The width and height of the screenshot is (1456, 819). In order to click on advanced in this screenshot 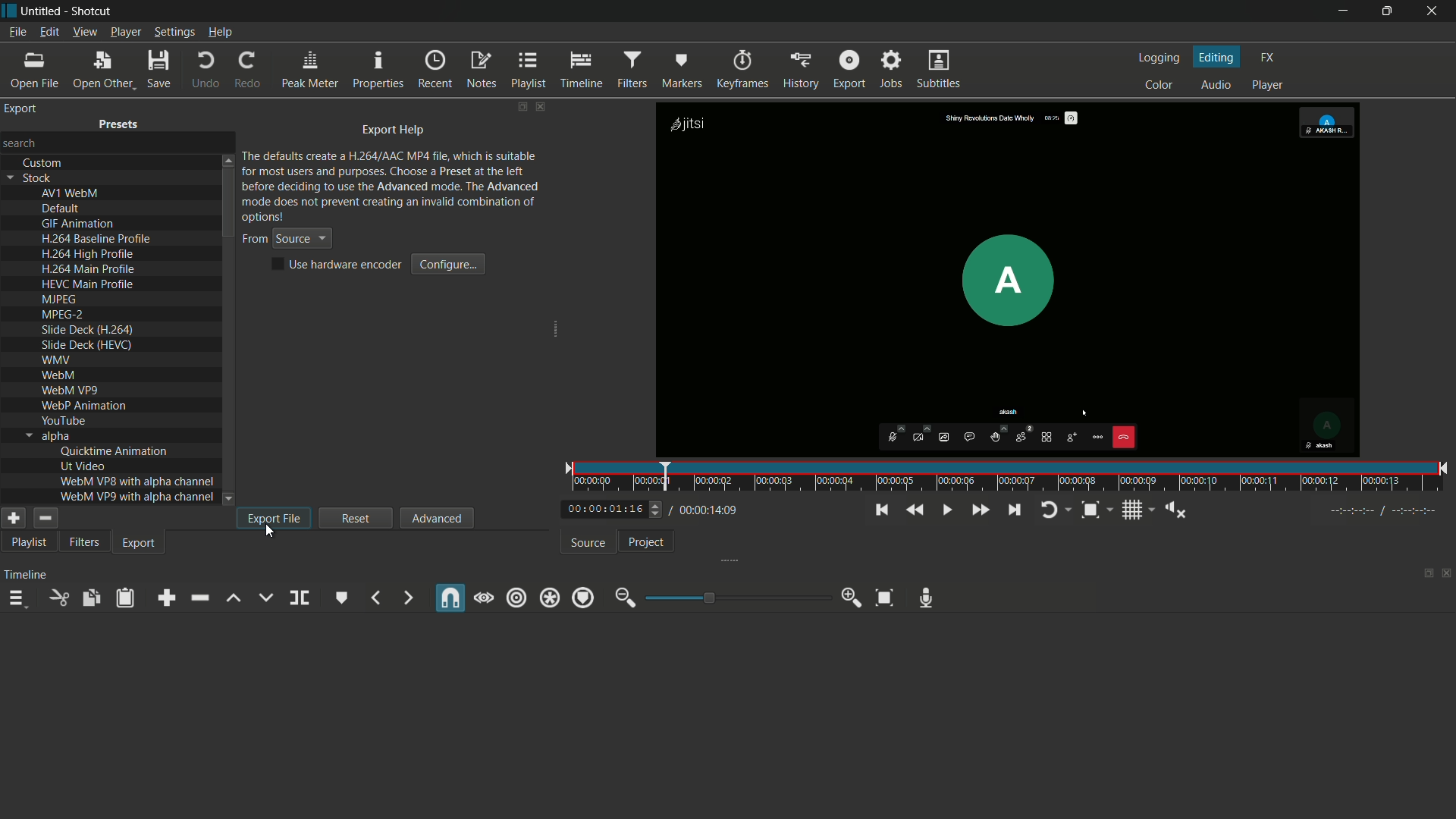, I will do `click(438, 517)`.